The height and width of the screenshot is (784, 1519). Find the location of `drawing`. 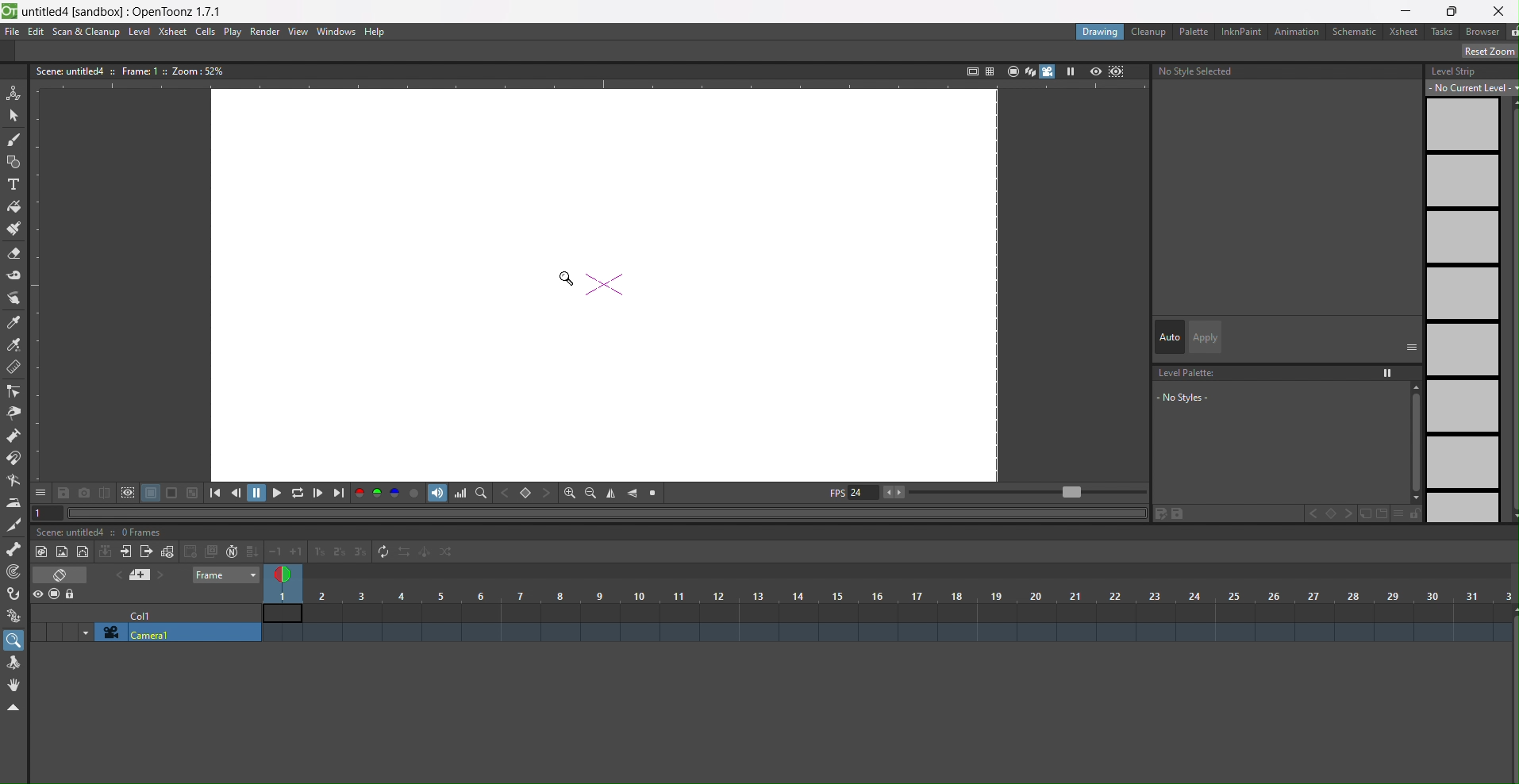

drawing is located at coordinates (1101, 31).